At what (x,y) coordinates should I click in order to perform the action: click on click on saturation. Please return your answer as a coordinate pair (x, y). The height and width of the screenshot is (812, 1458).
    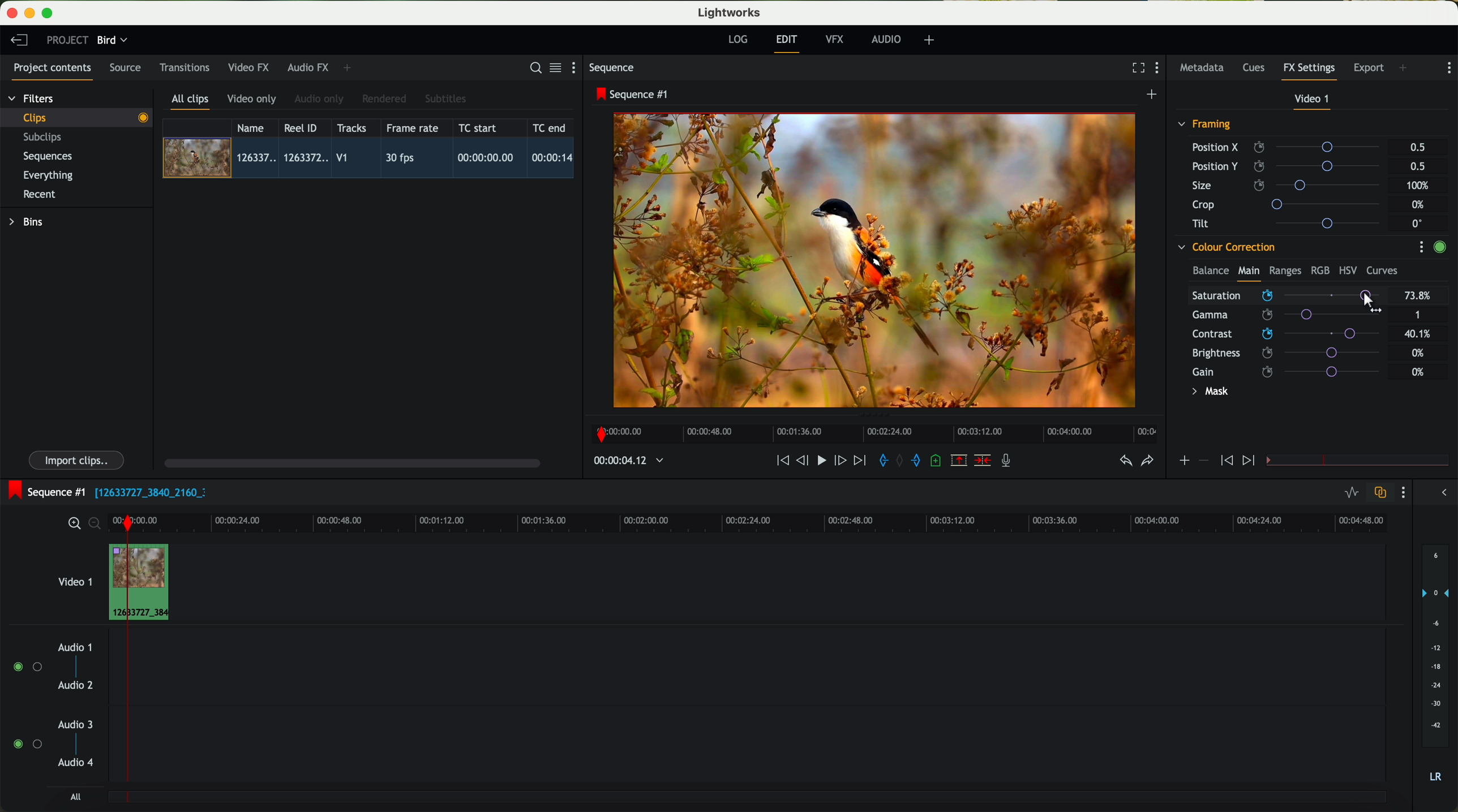
    Looking at the image, I should click on (1280, 316).